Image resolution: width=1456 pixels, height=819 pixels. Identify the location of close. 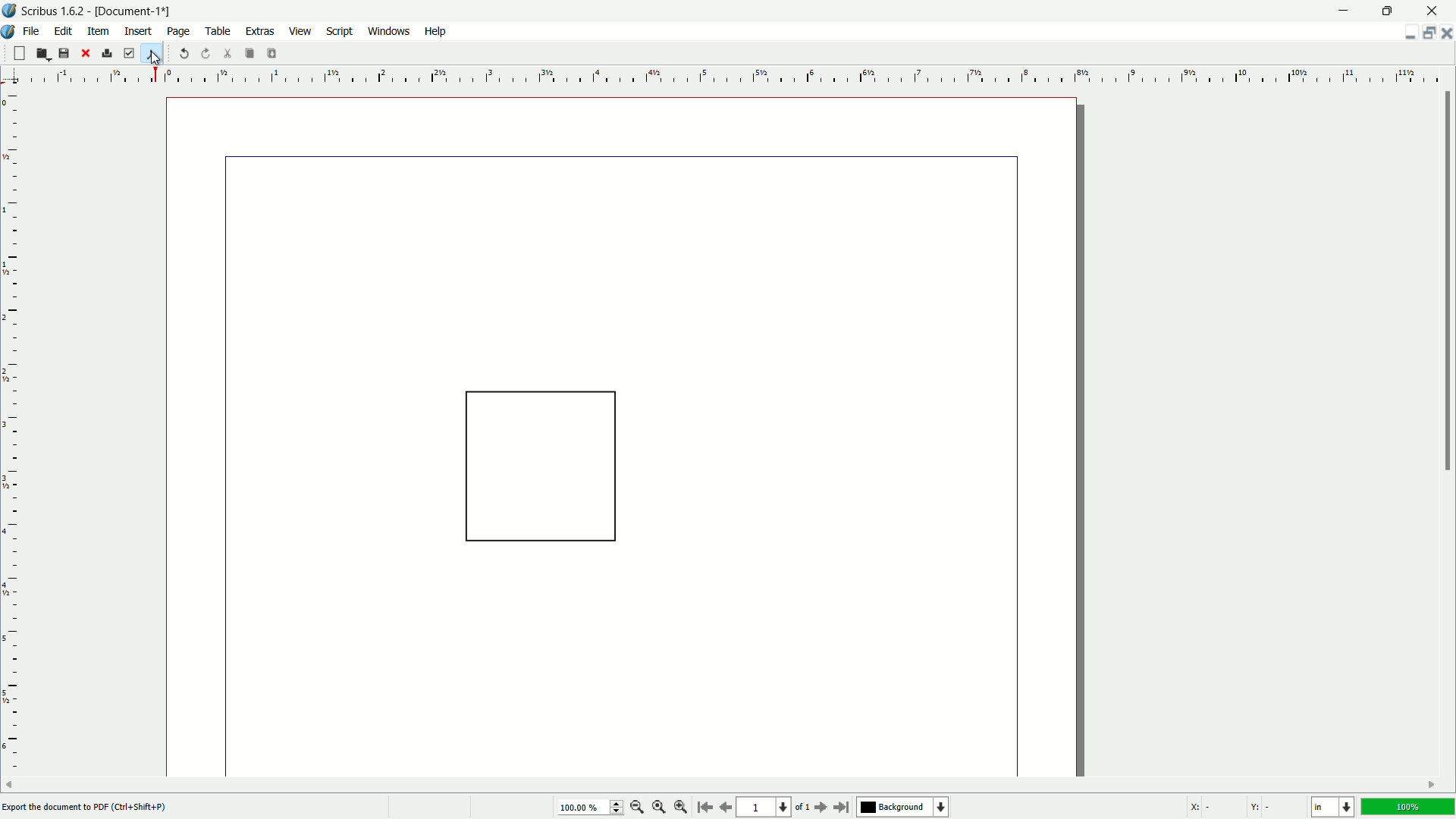
(86, 54).